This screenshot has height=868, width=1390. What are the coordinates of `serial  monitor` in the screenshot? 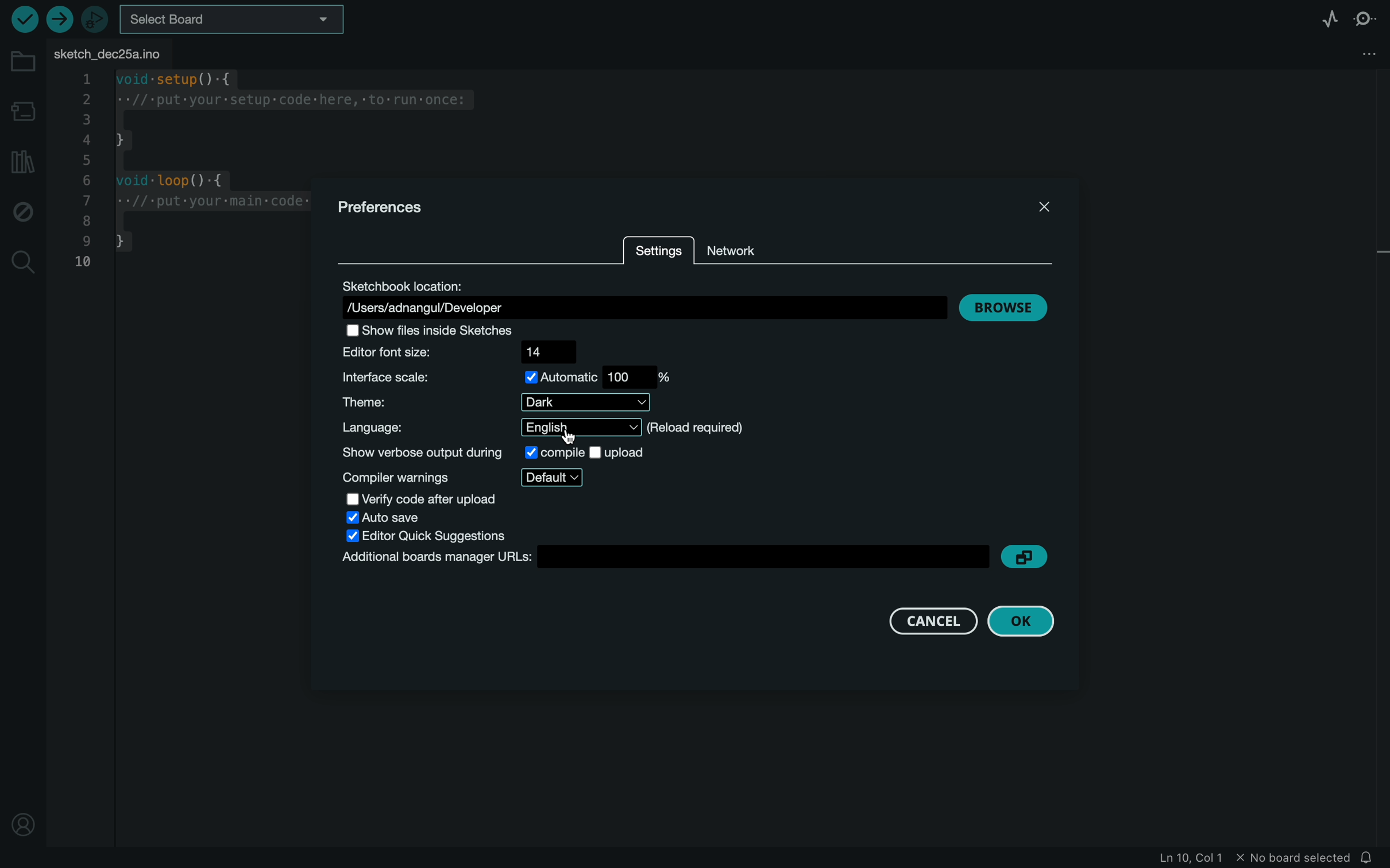 It's located at (1365, 19).